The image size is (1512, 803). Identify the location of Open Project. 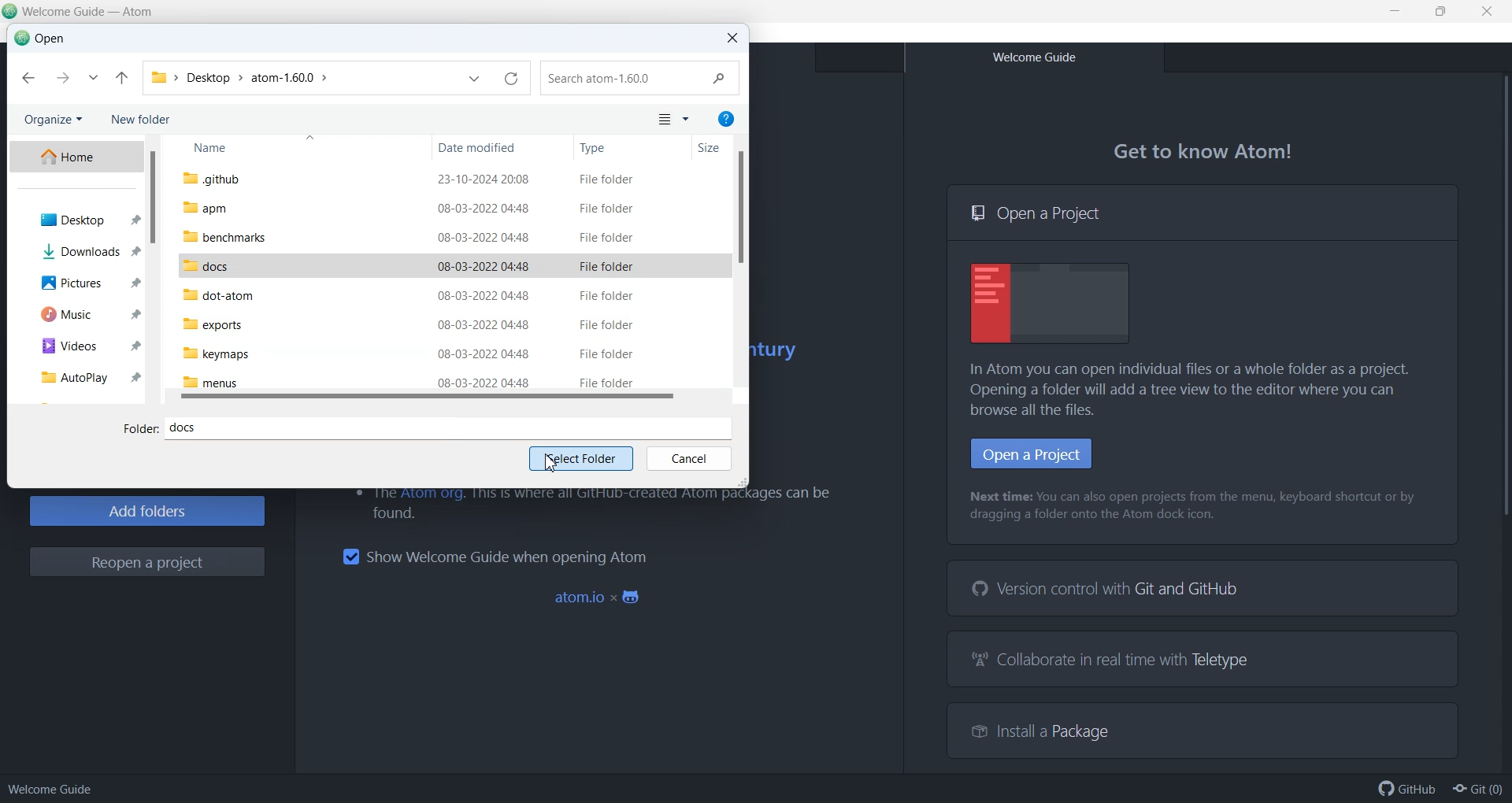
(1032, 453).